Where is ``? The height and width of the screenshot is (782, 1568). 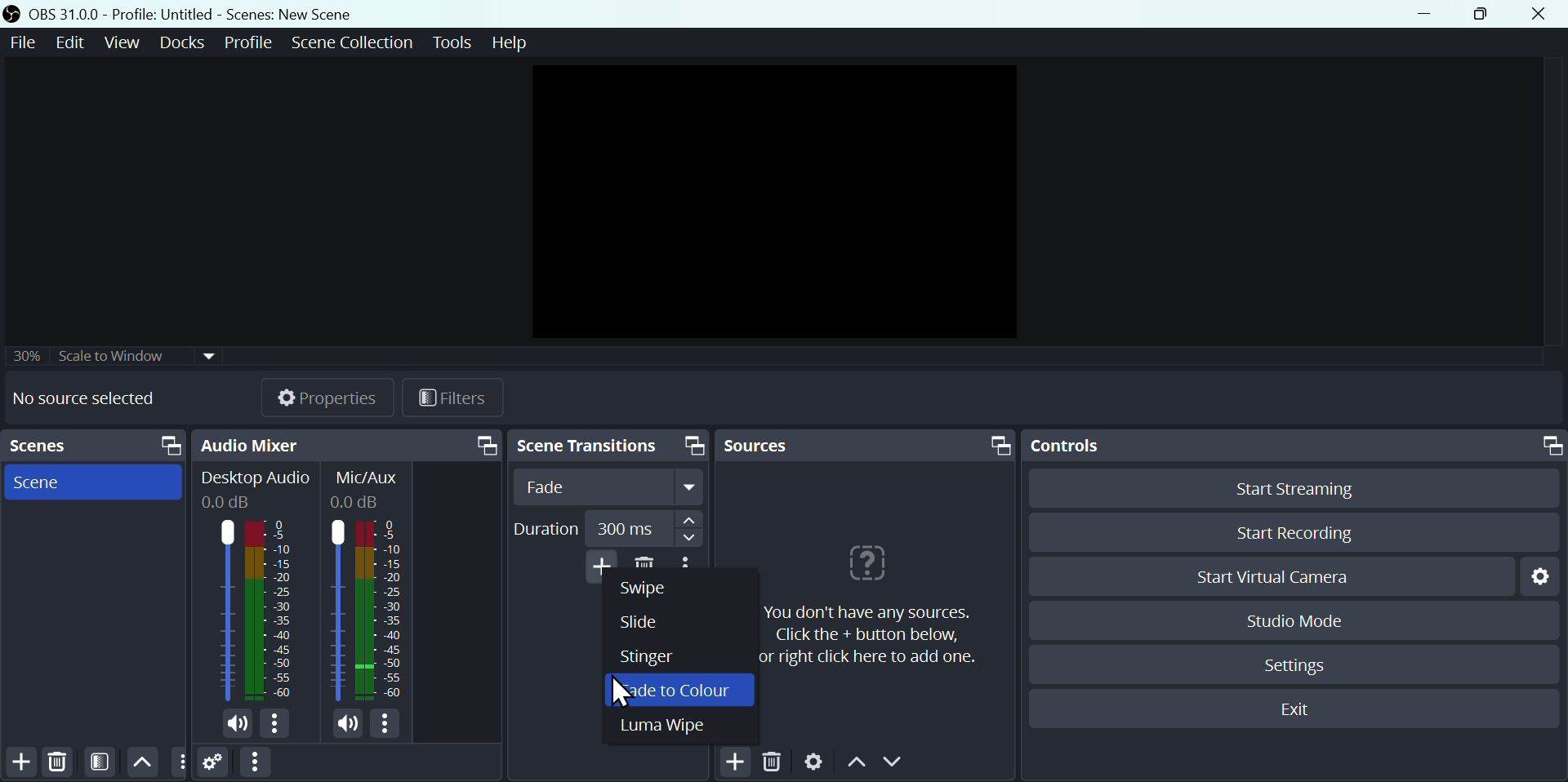  is located at coordinates (250, 40).